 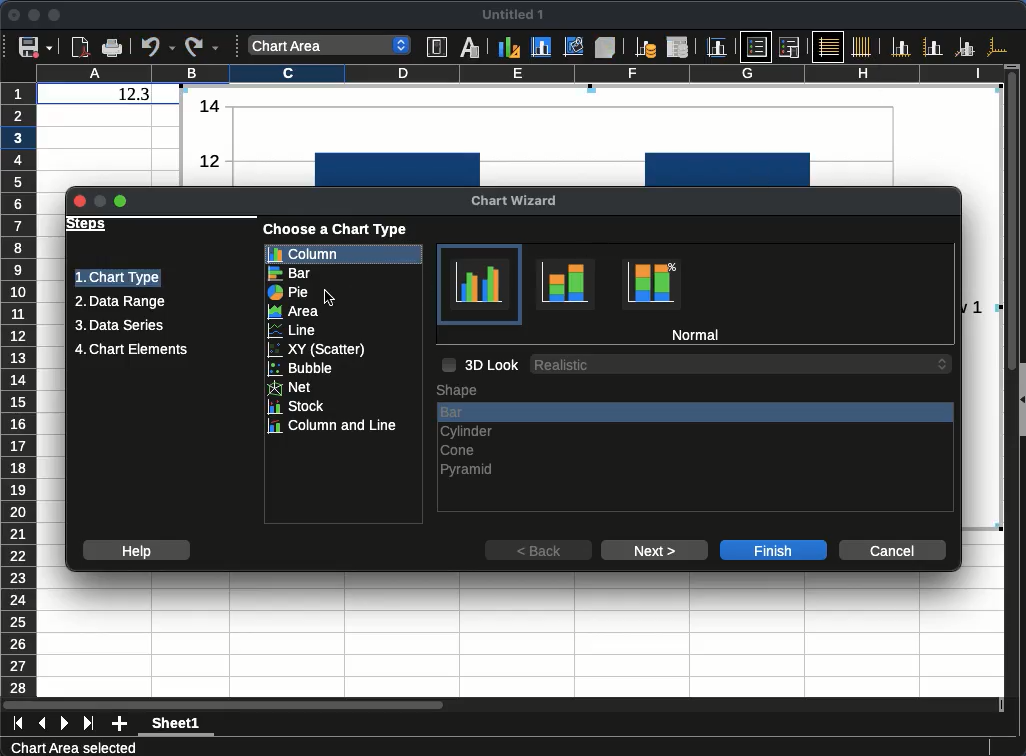 I want to click on Titles, so click(x=716, y=47).